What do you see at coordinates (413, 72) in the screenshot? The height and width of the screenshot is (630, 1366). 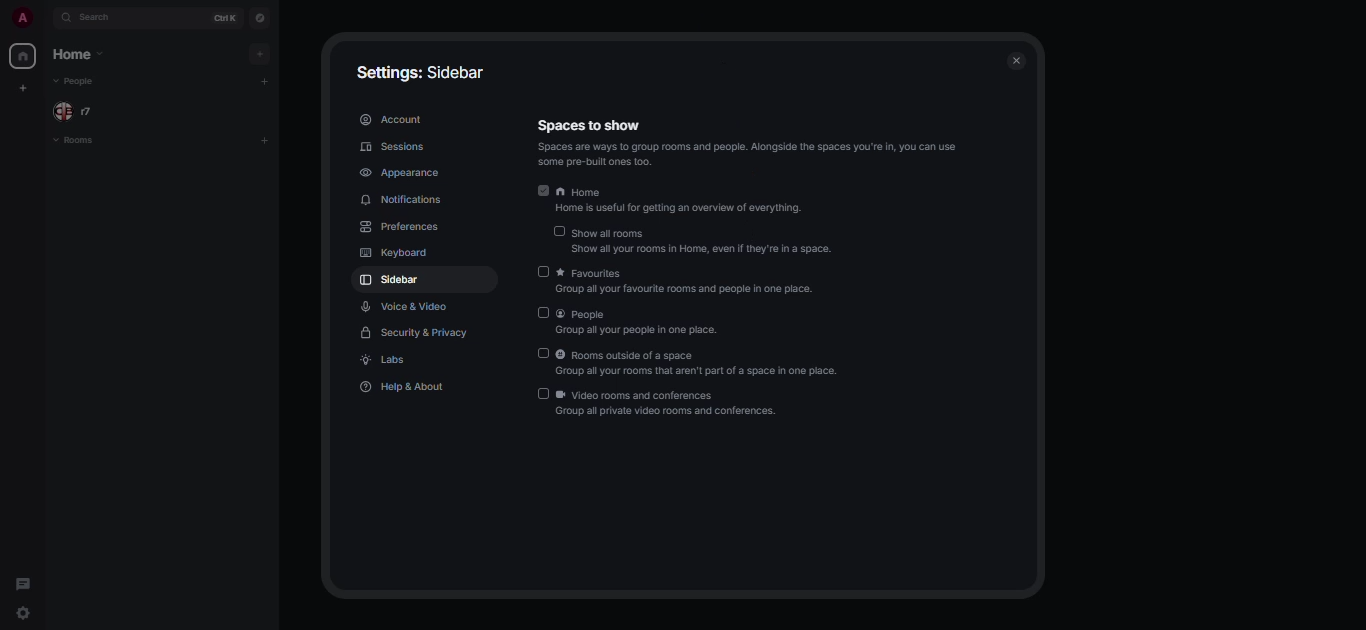 I see `settings: sidebar` at bounding box center [413, 72].